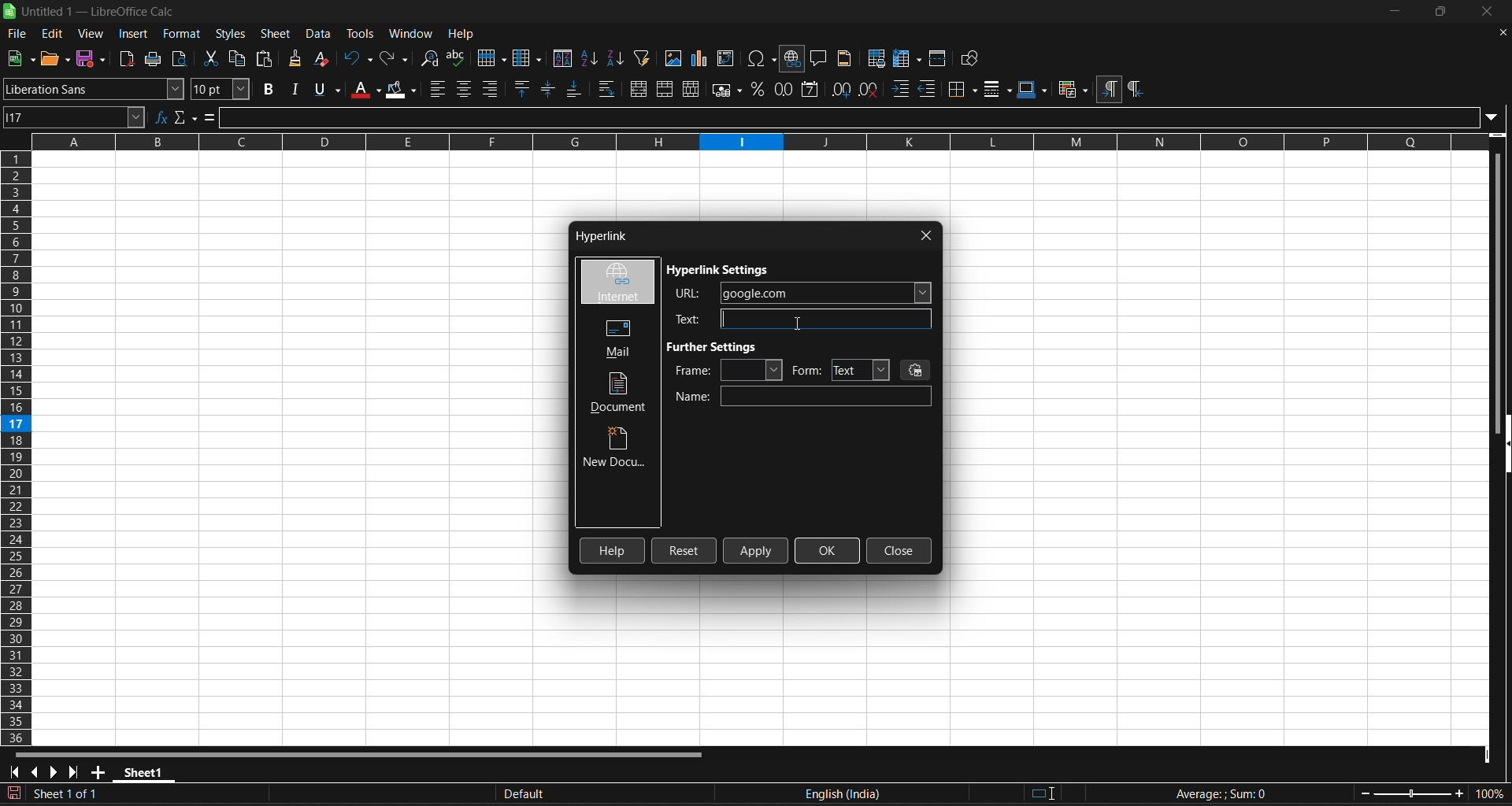 The image size is (1512, 806). What do you see at coordinates (721, 271) in the screenshot?
I see `hyperlink settings` at bounding box center [721, 271].